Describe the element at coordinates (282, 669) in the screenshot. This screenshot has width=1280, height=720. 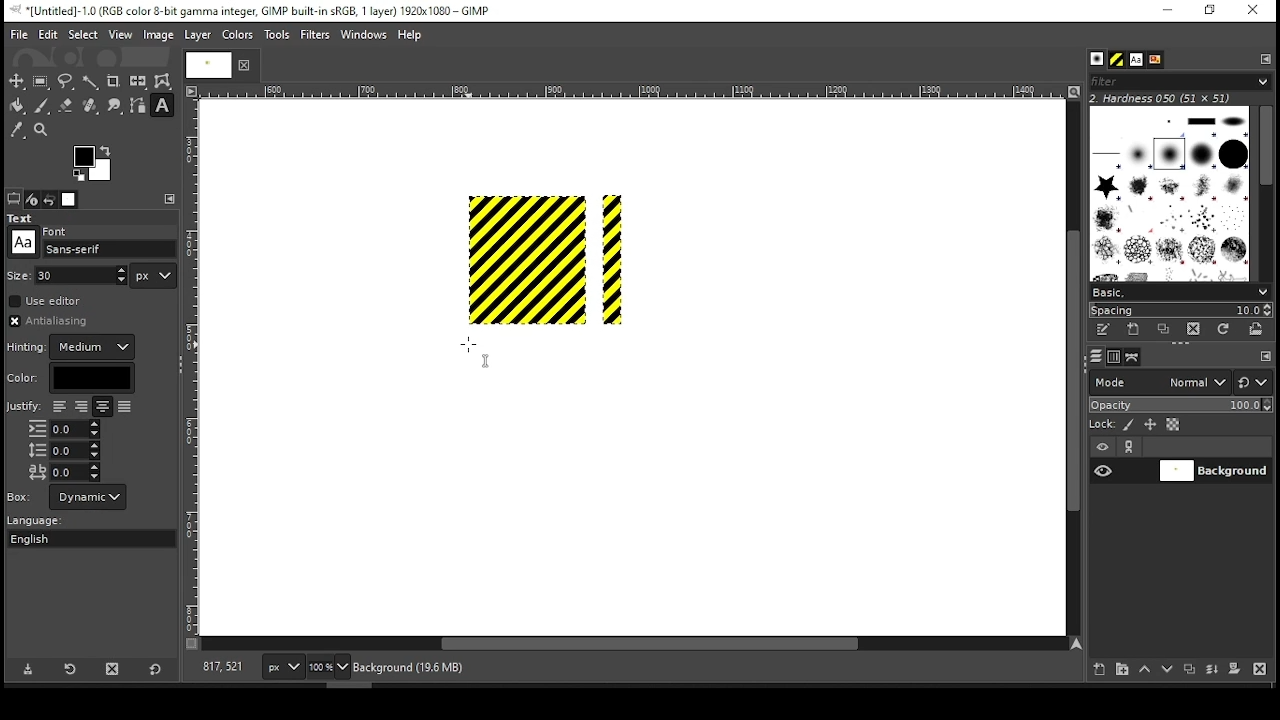
I see `px` at that location.